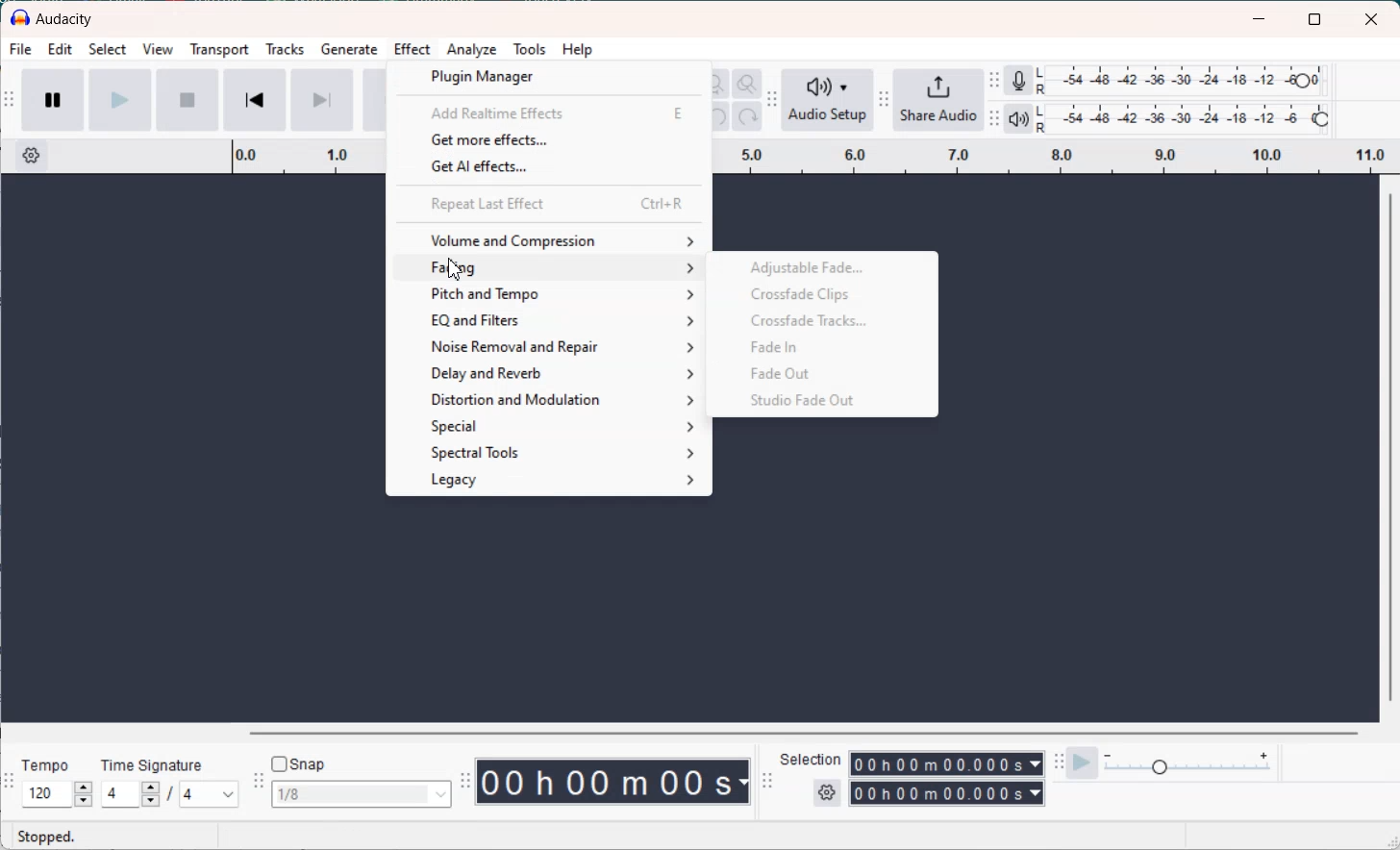  What do you see at coordinates (465, 781) in the screenshot?
I see `Audacity time toolbar` at bounding box center [465, 781].